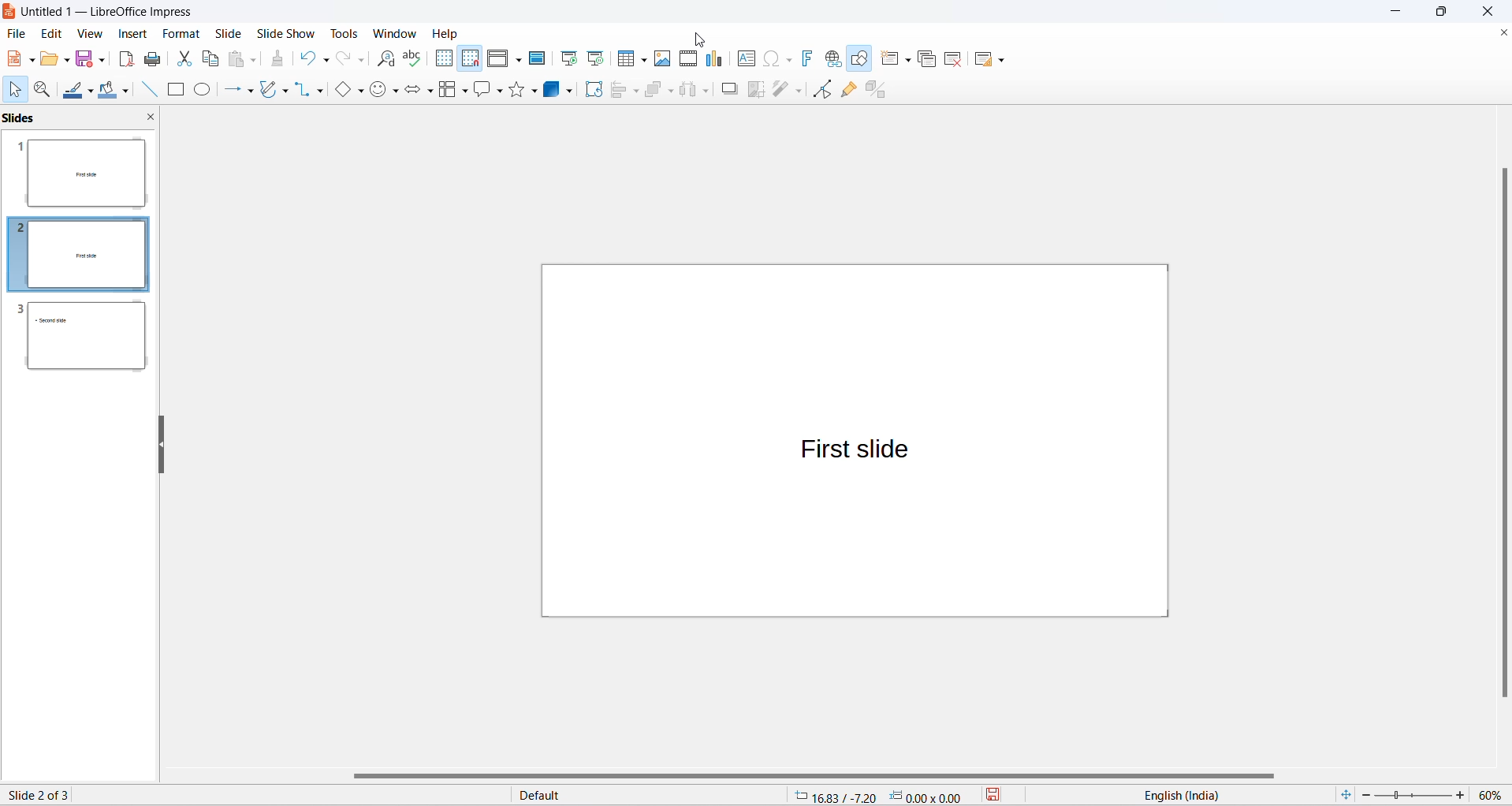 This screenshot has width=1512, height=806. What do you see at coordinates (1503, 434) in the screenshot?
I see `vertical scroll bar` at bounding box center [1503, 434].